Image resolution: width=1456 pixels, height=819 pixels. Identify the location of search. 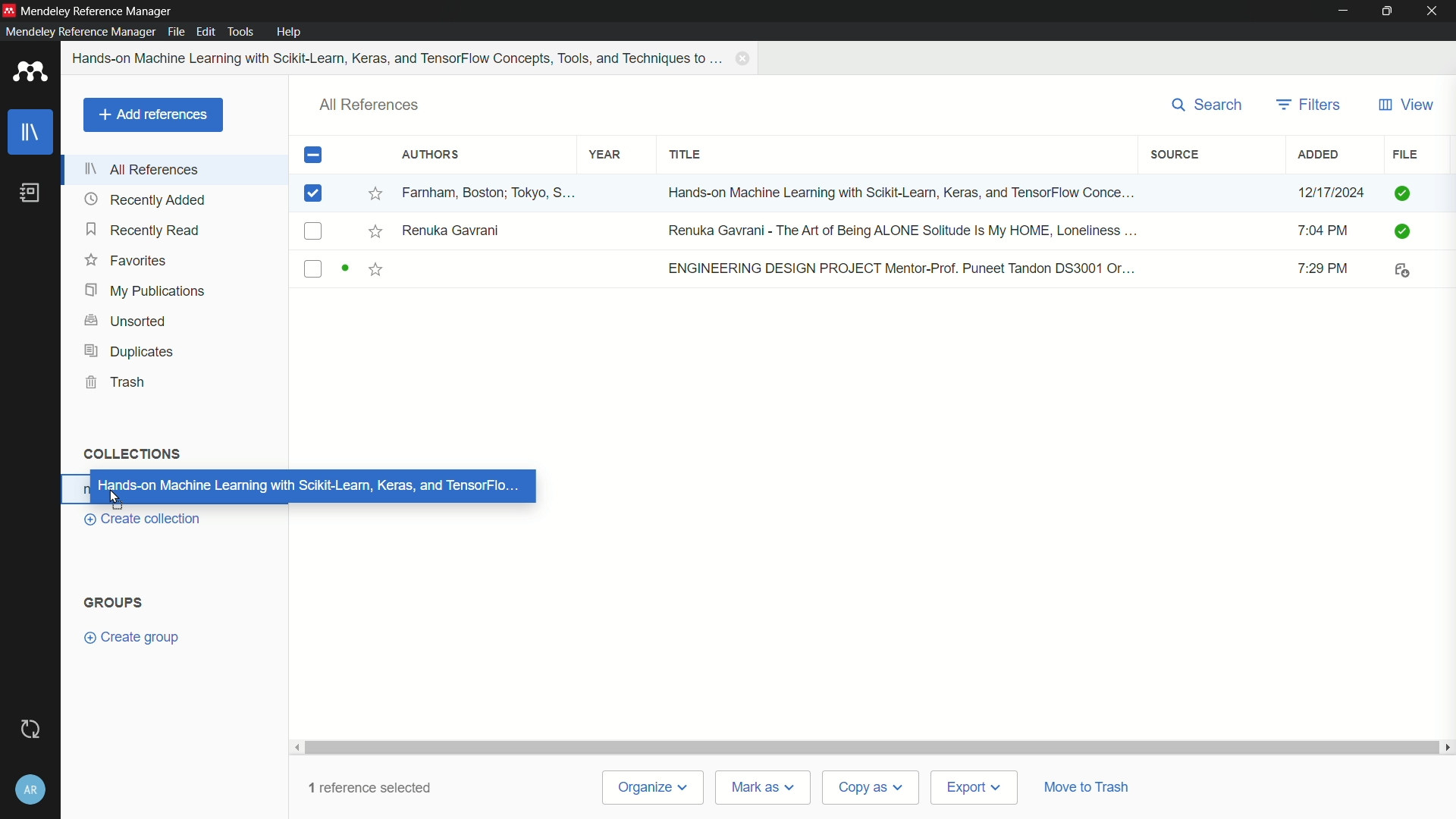
(1209, 105).